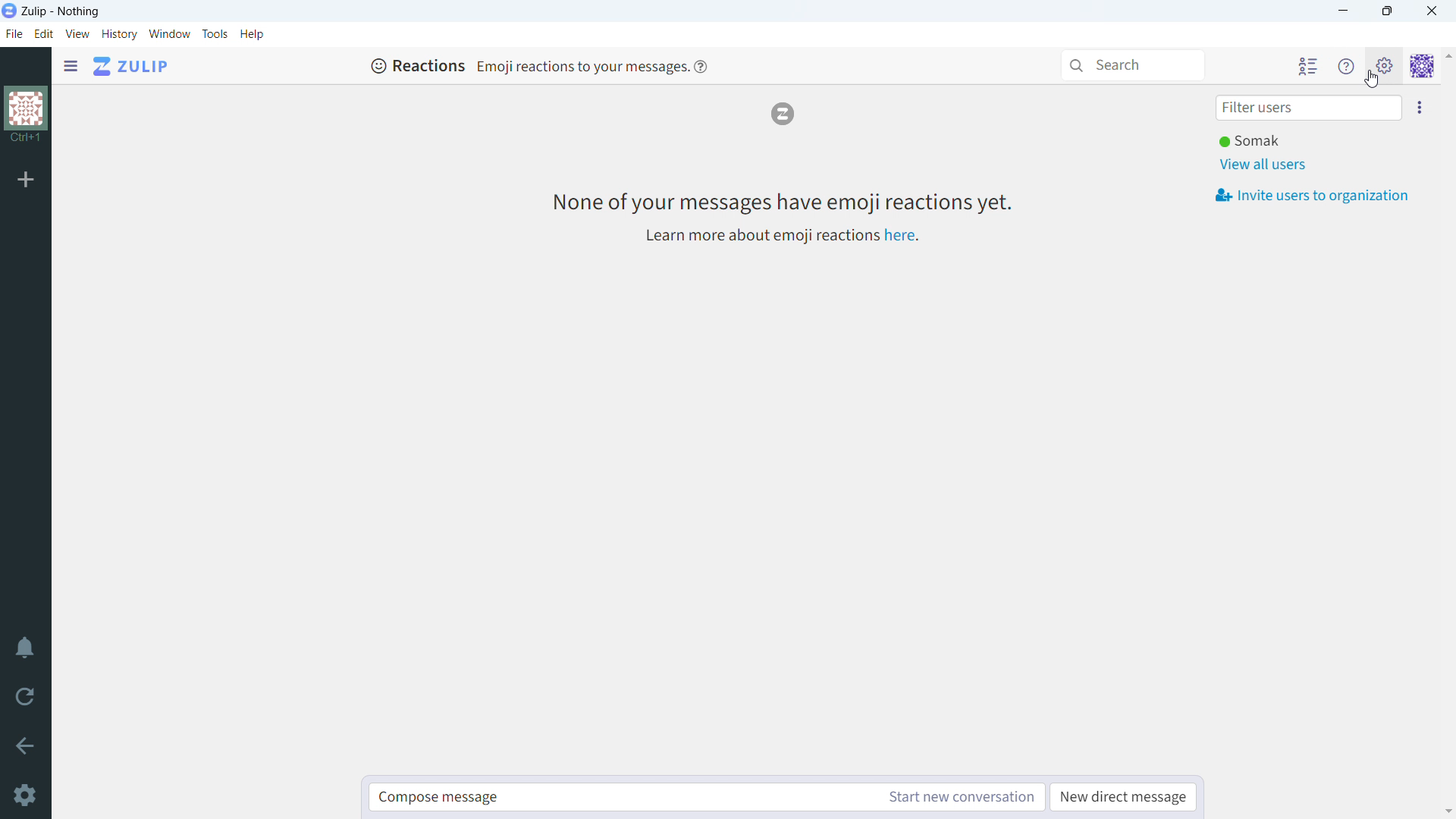 Image resolution: width=1456 pixels, height=819 pixels. Describe the element at coordinates (71, 66) in the screenshot. I see `open sidebar menu` at that location.